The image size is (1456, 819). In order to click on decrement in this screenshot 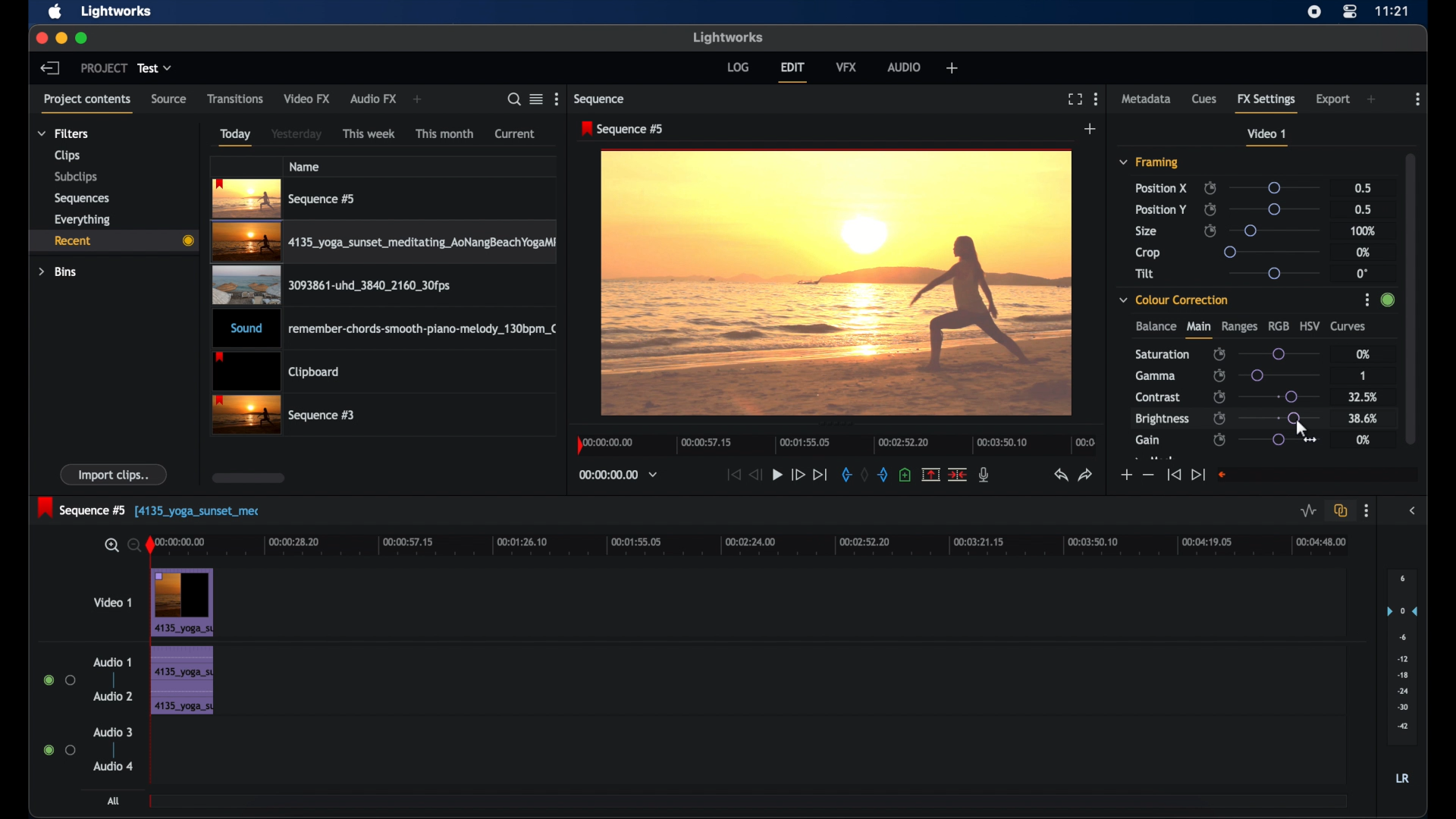, I will do `click(1148, 475)`.